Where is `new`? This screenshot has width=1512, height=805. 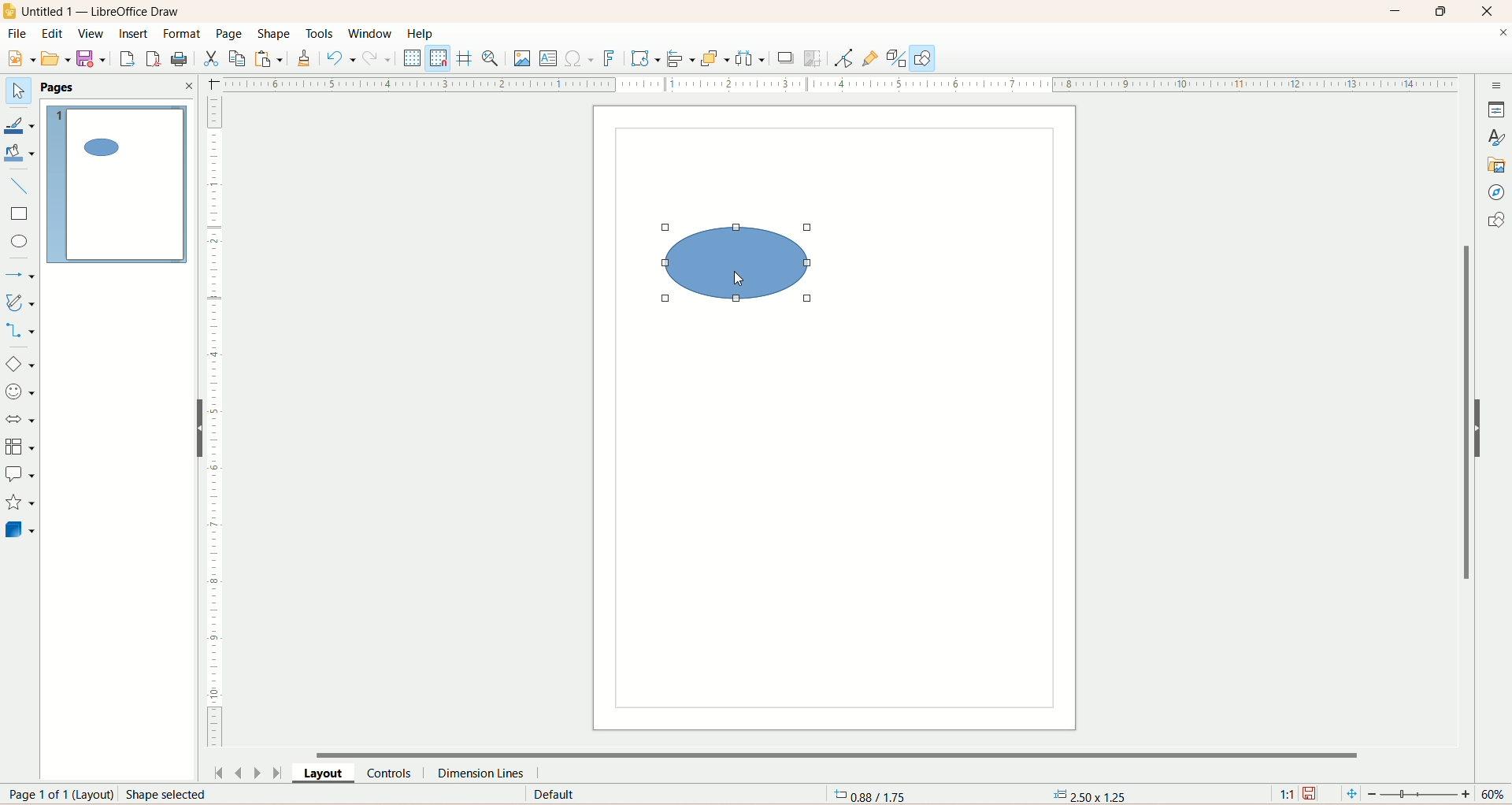
new is located at coordinates (23, 59).